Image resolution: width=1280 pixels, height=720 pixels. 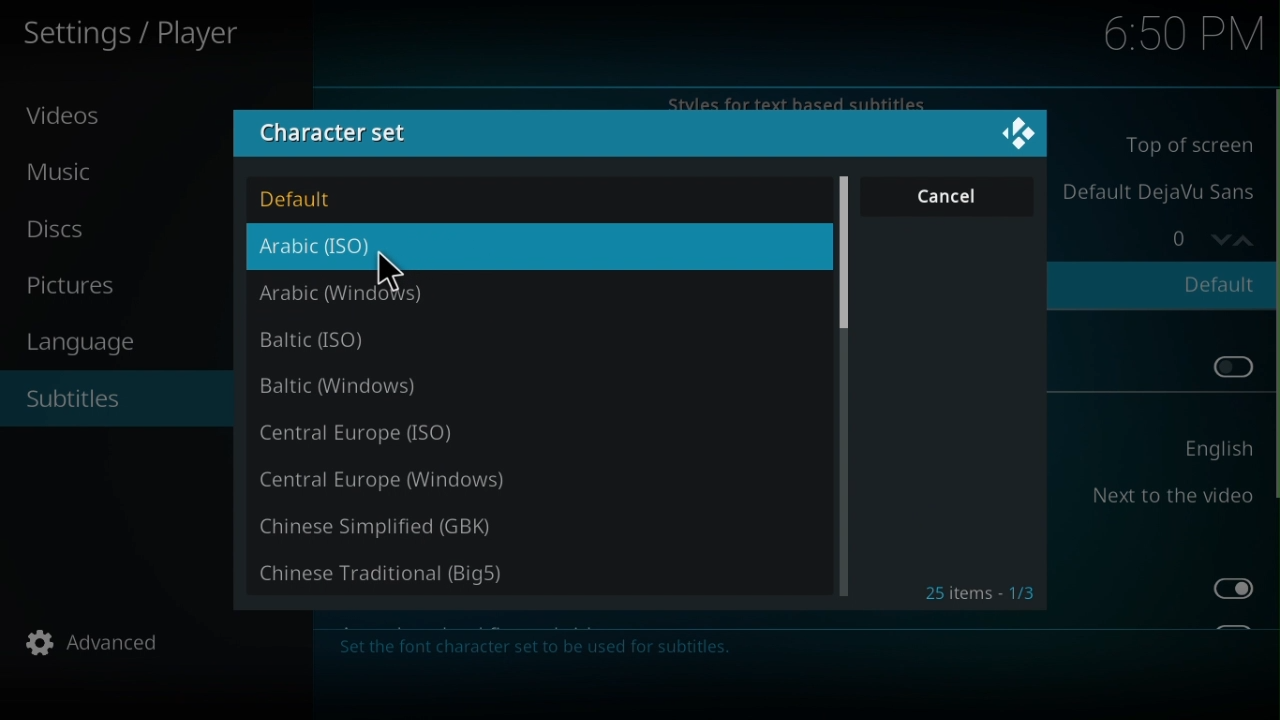 What do you see at coordinates (1208, 284) in the screenshot?
I see `Default` at bounding box center [1208, 284].